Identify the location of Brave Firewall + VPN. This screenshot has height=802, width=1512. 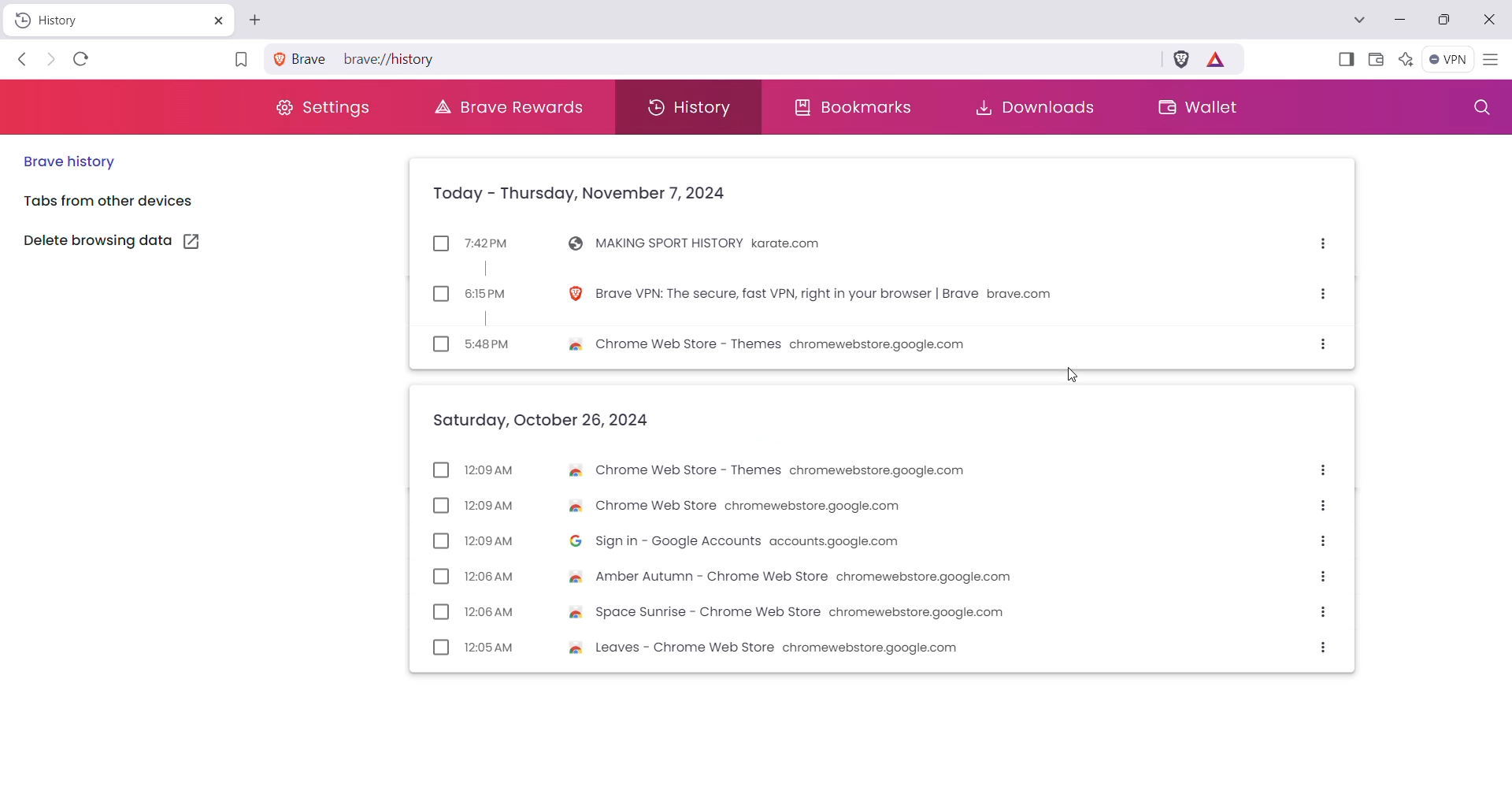
(1449, 59).